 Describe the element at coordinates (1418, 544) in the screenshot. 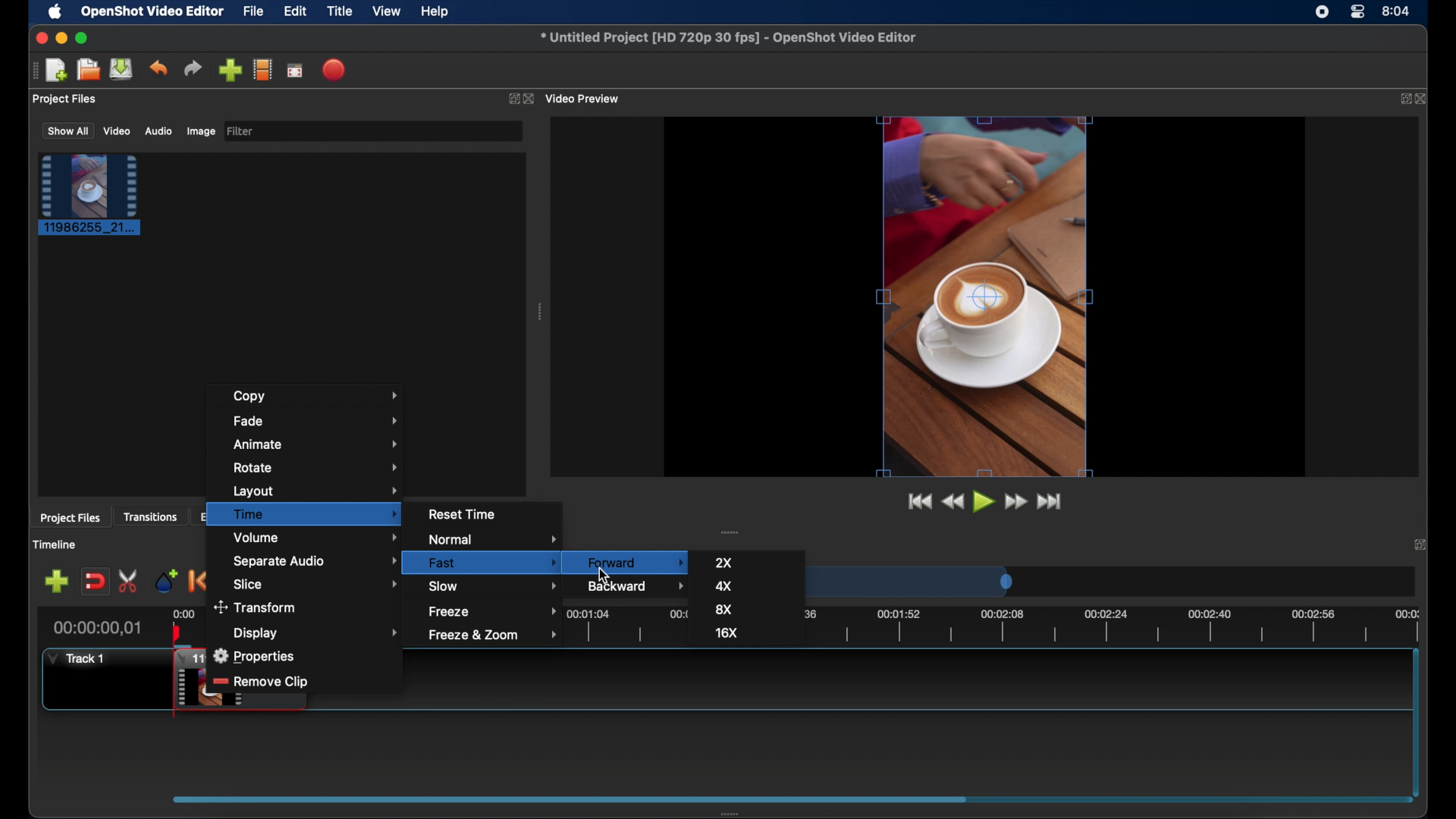

I see `close` at that location.